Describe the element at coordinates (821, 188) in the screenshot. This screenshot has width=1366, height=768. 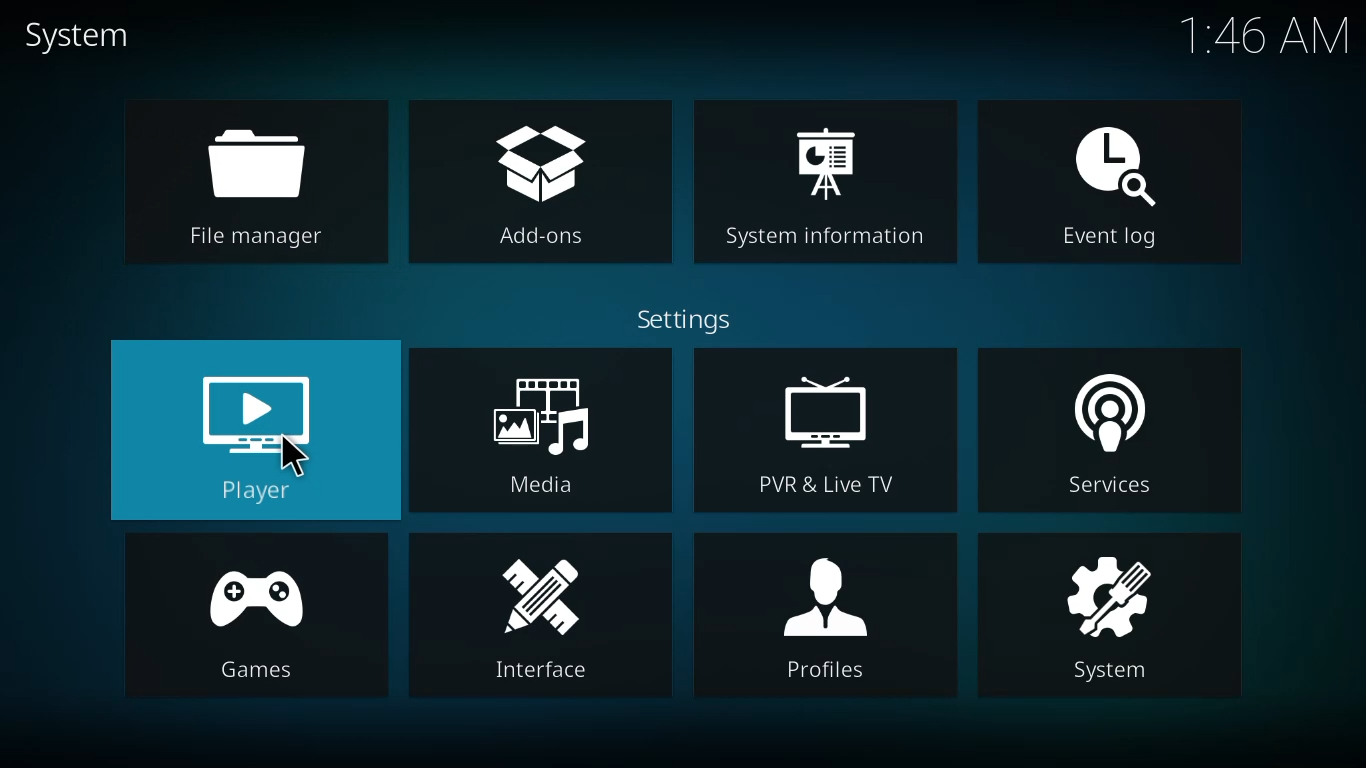
I see `system information` at that location.